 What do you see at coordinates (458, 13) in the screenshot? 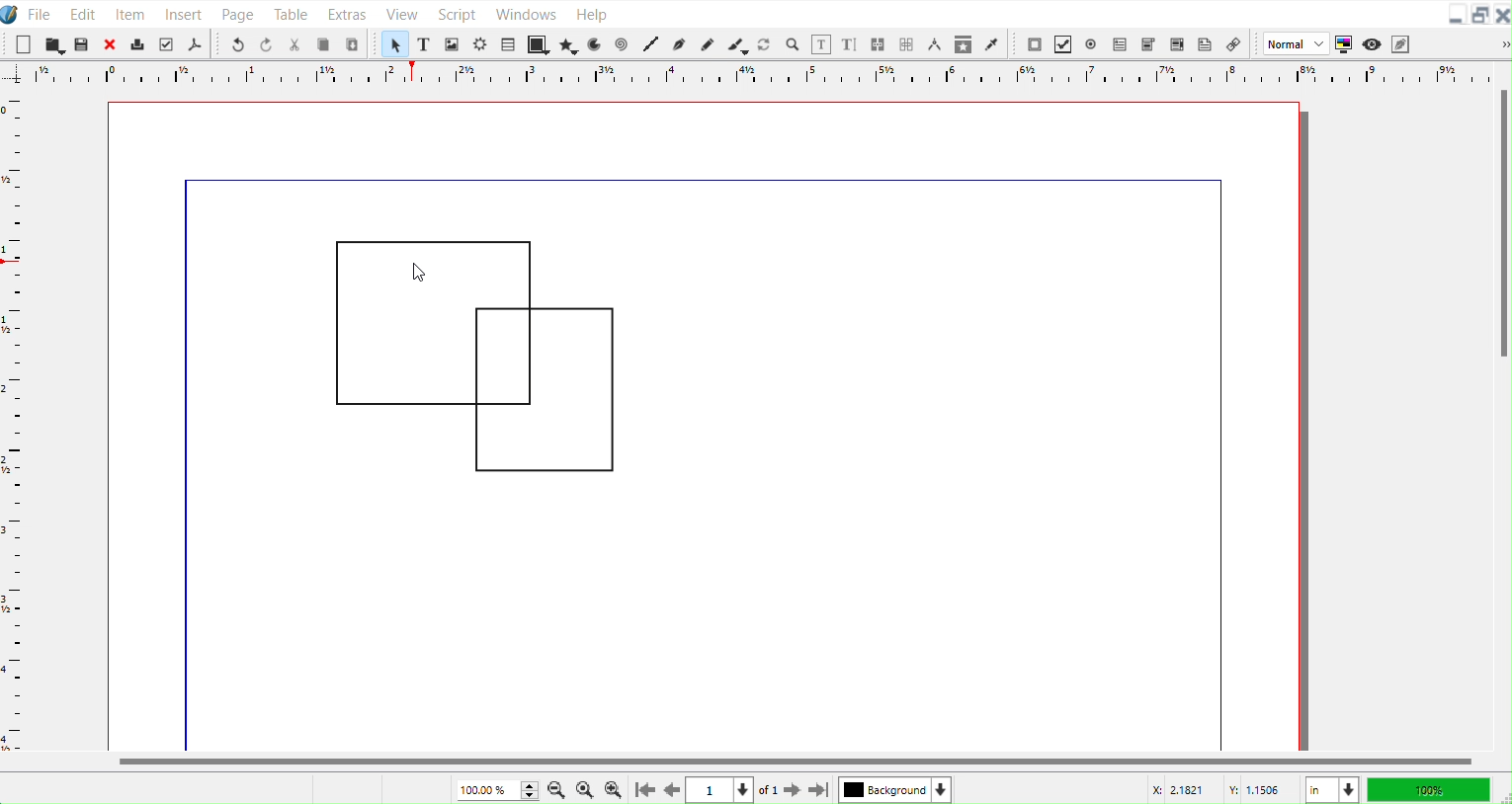
I see `Script` at bounding box center [458, 13].